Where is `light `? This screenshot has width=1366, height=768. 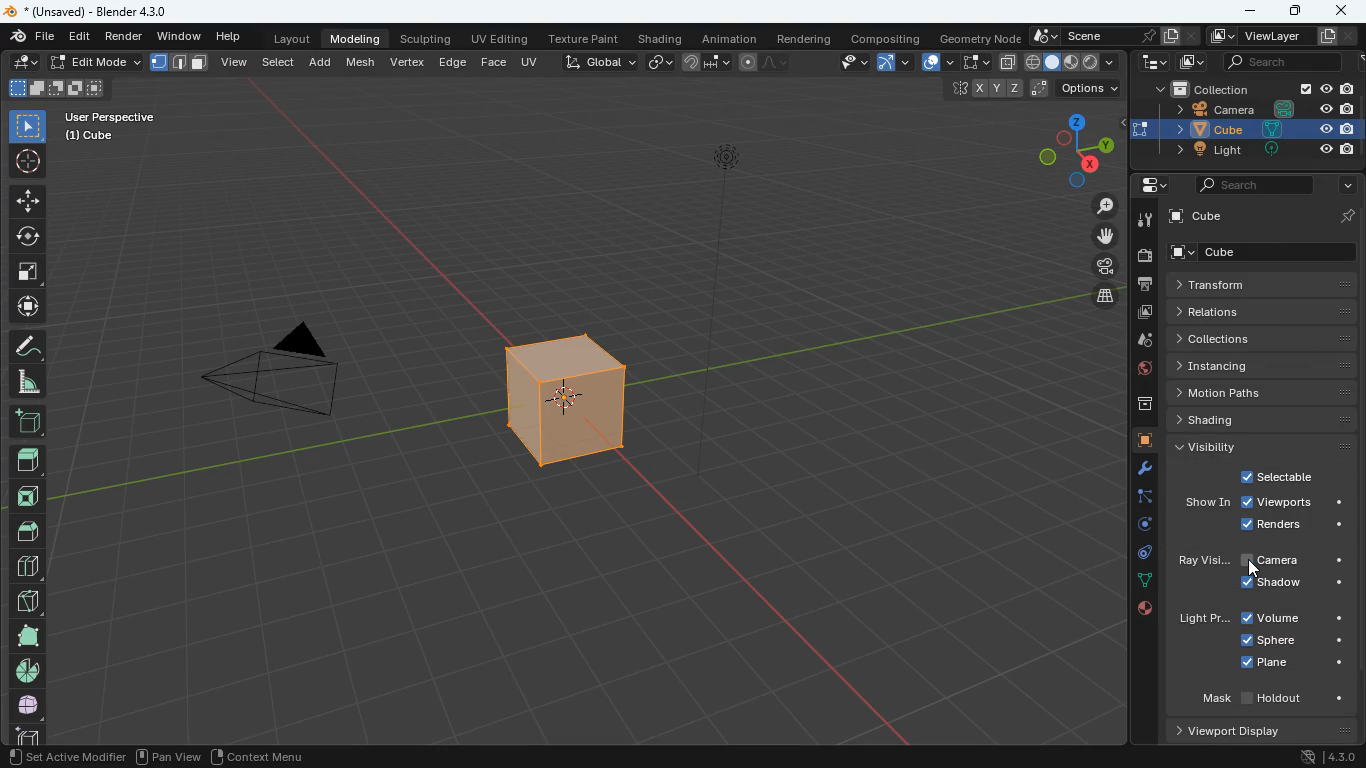 light  is located at coordinates (1200, 620).